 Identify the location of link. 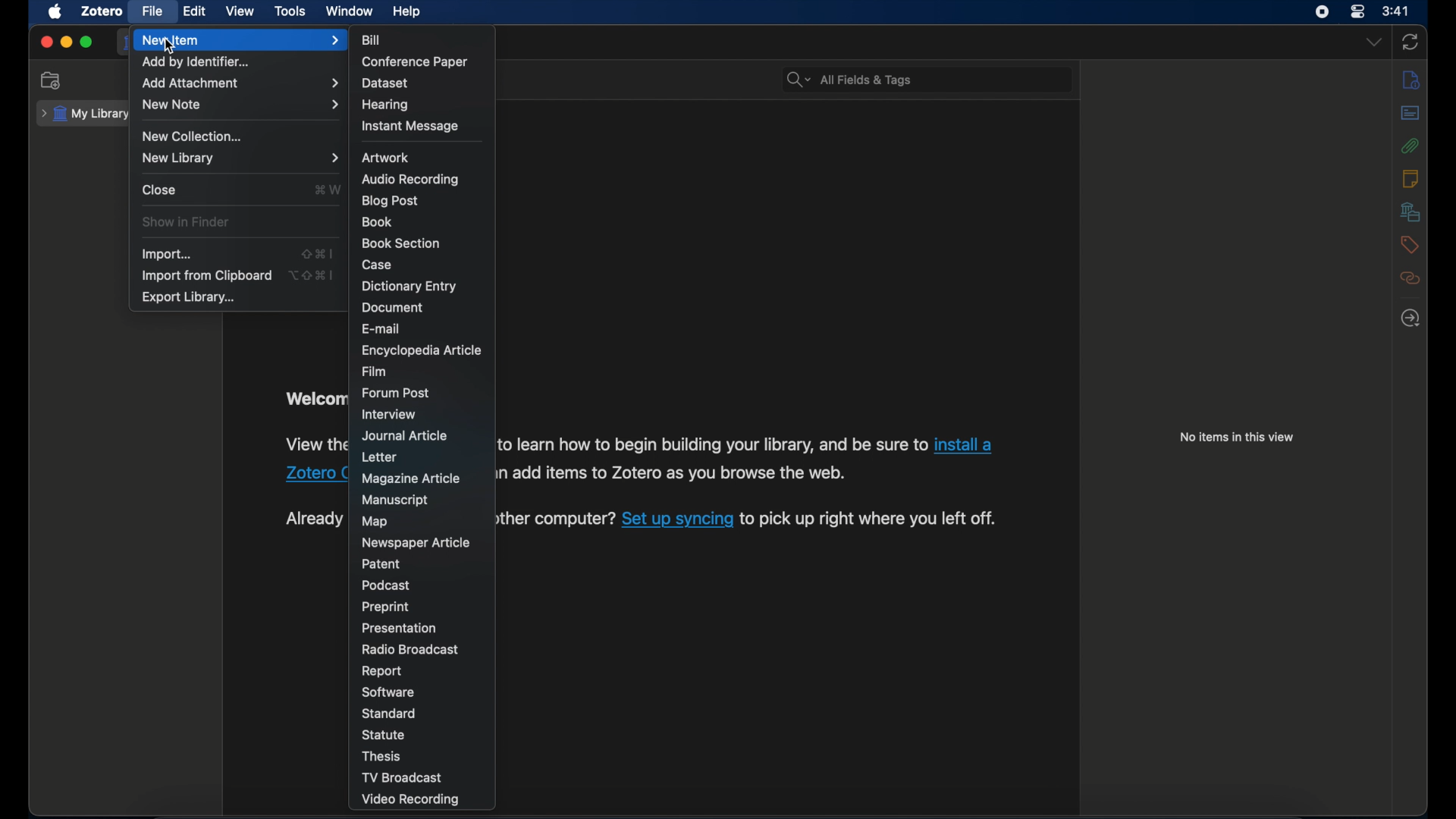
(676, 520).